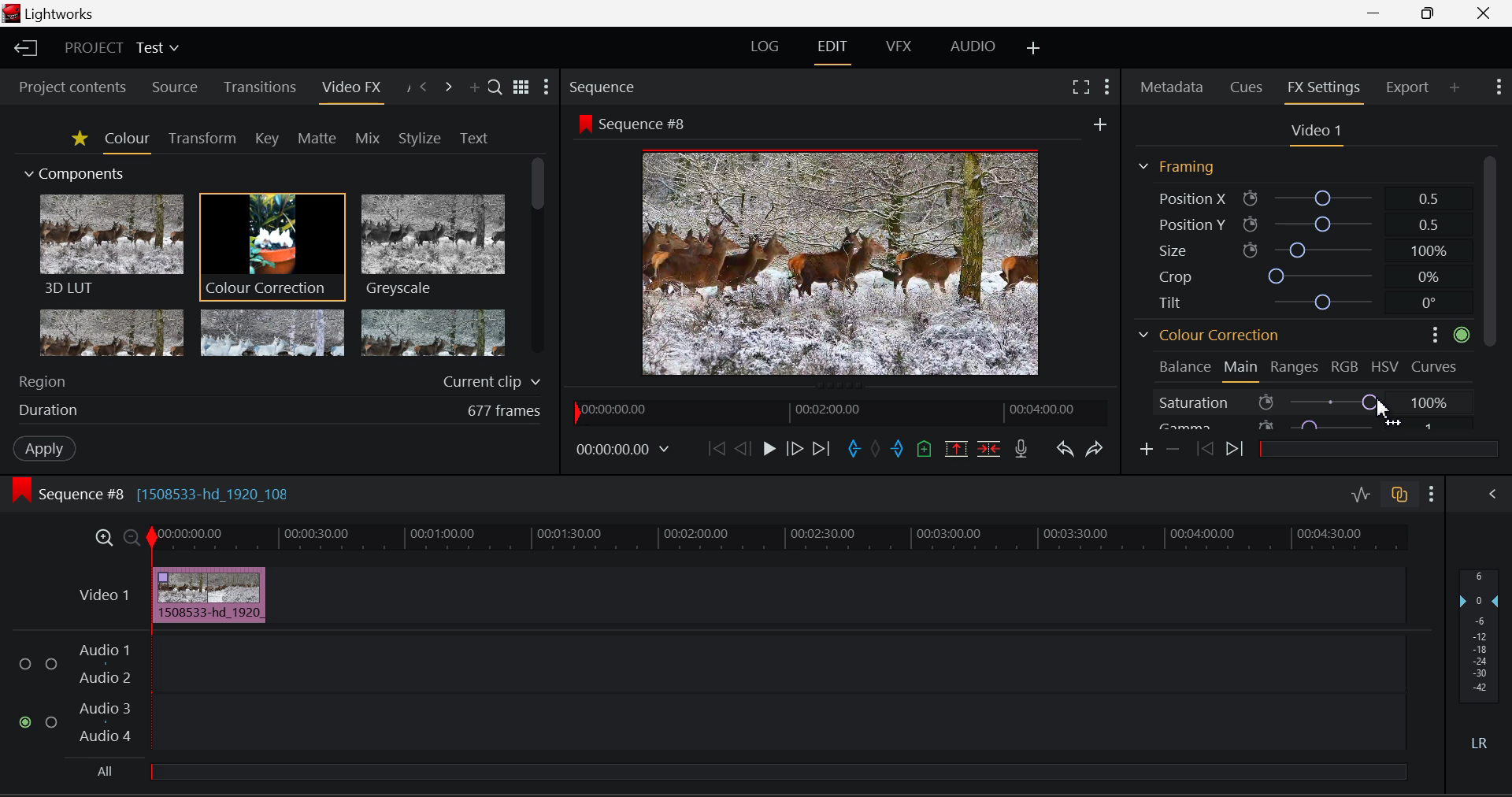 This screenshot has height=797, width=1512. What do you see at coordinates (51, 721) in the screenshot?
I see `Audio Input Checkbox` at bounding box center [51, 721].